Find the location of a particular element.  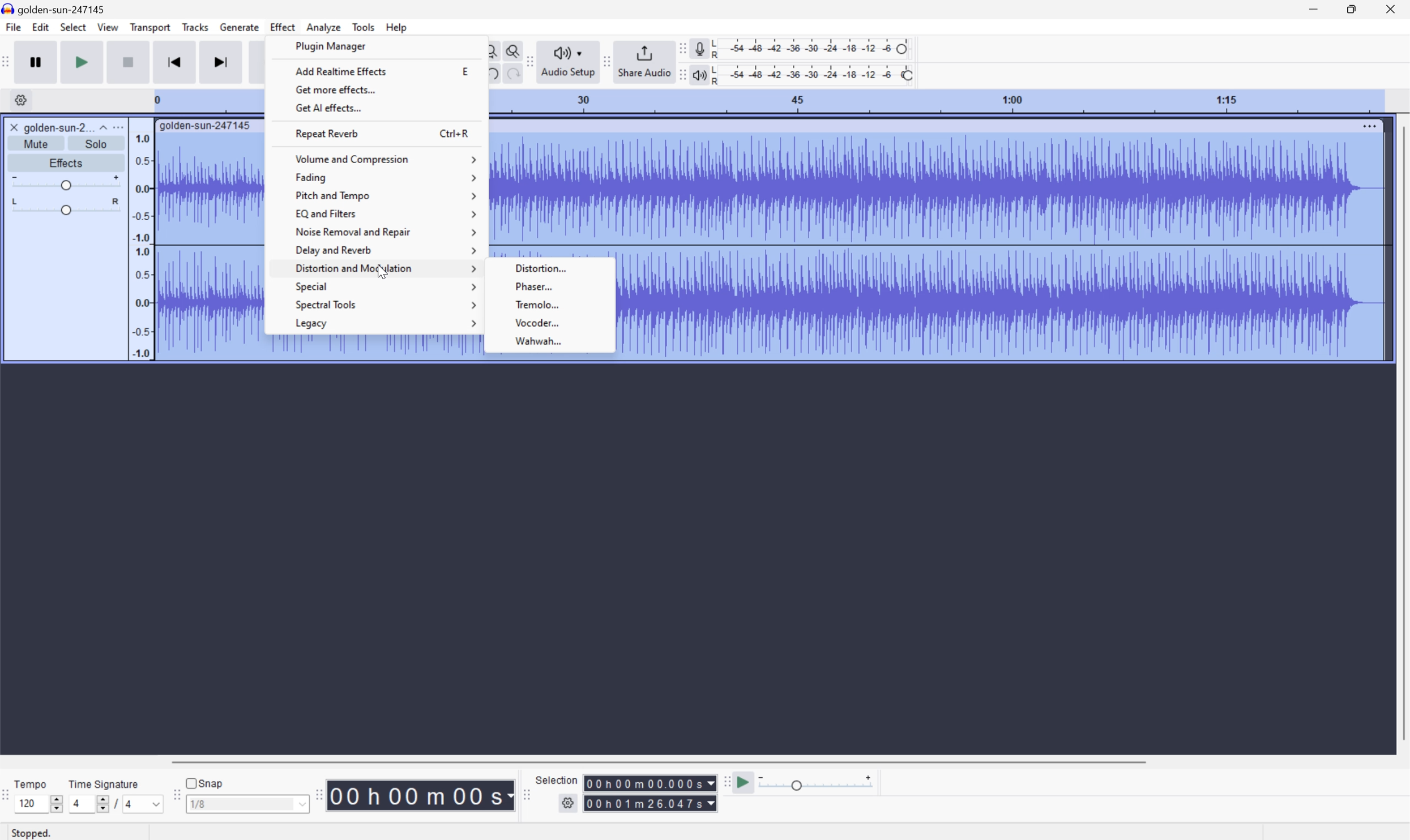

Slider is located at coordinates (62, 207).